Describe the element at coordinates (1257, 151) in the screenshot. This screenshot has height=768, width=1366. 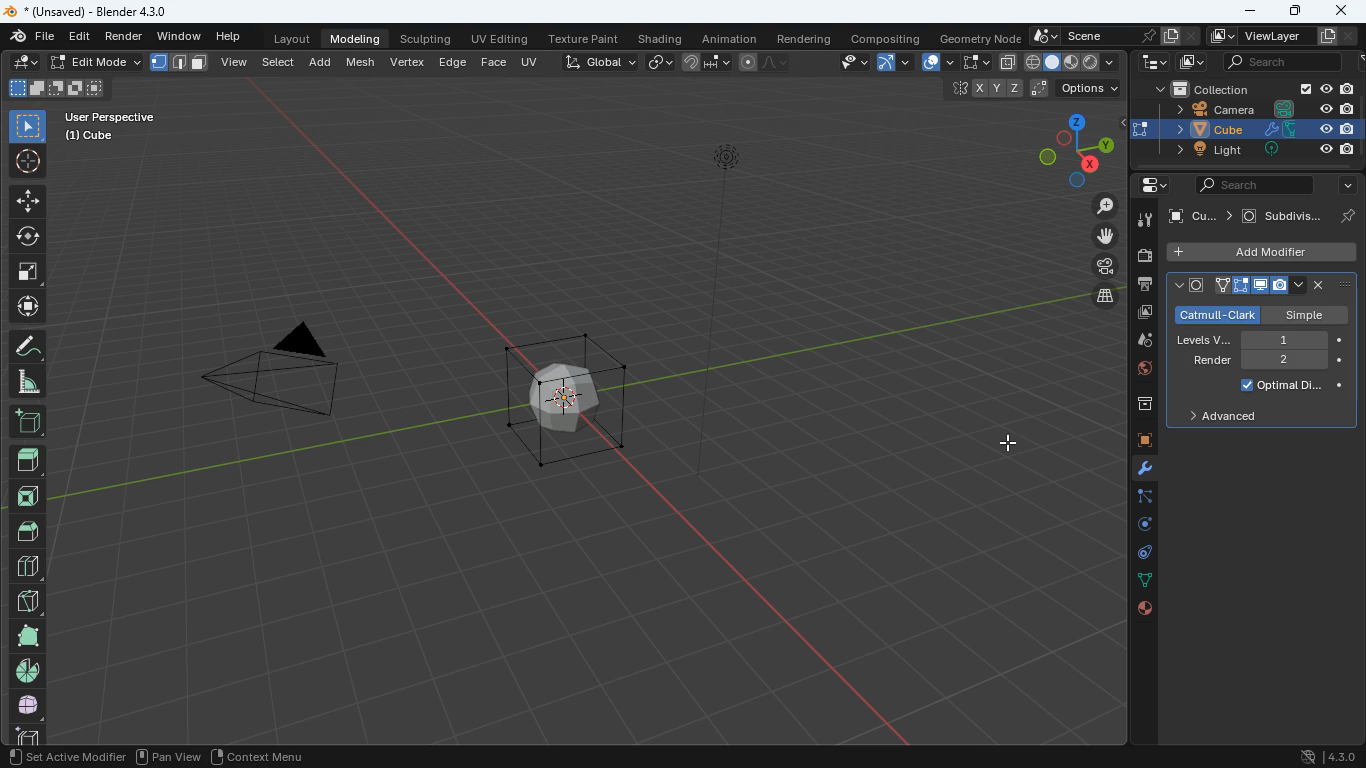
I see `light` at that location.